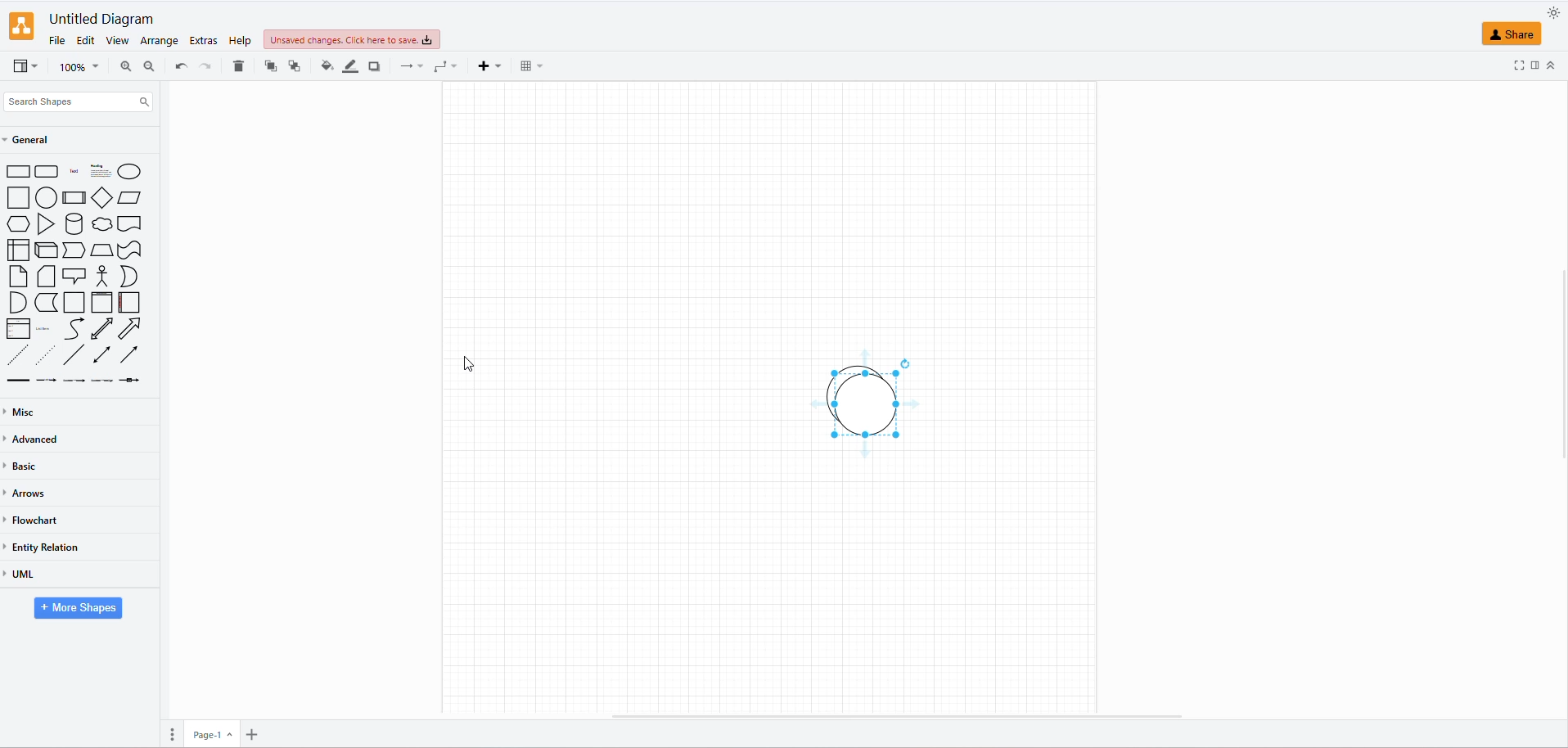 The height and width of the screenshot is (748, 1568). I want to click on LOGO, so click(21, 25).